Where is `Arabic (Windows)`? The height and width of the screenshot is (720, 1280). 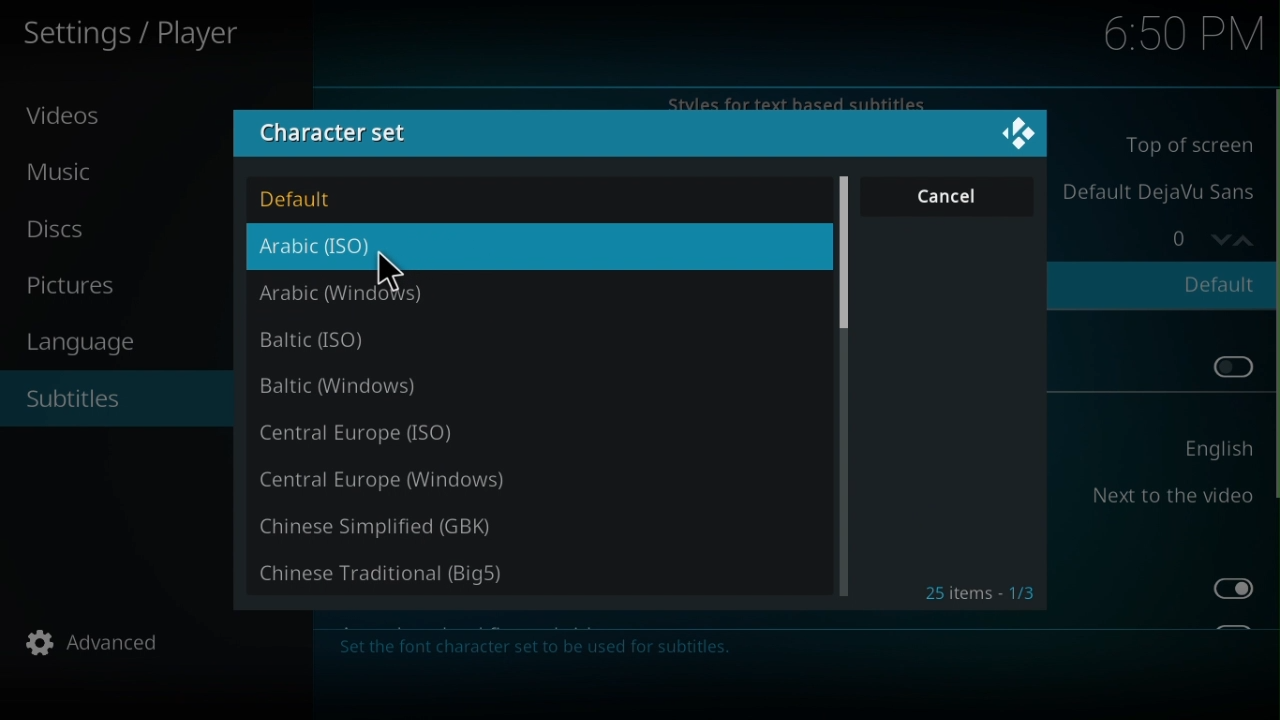
Arabic (Windows) is located at coordinates (338, 293).